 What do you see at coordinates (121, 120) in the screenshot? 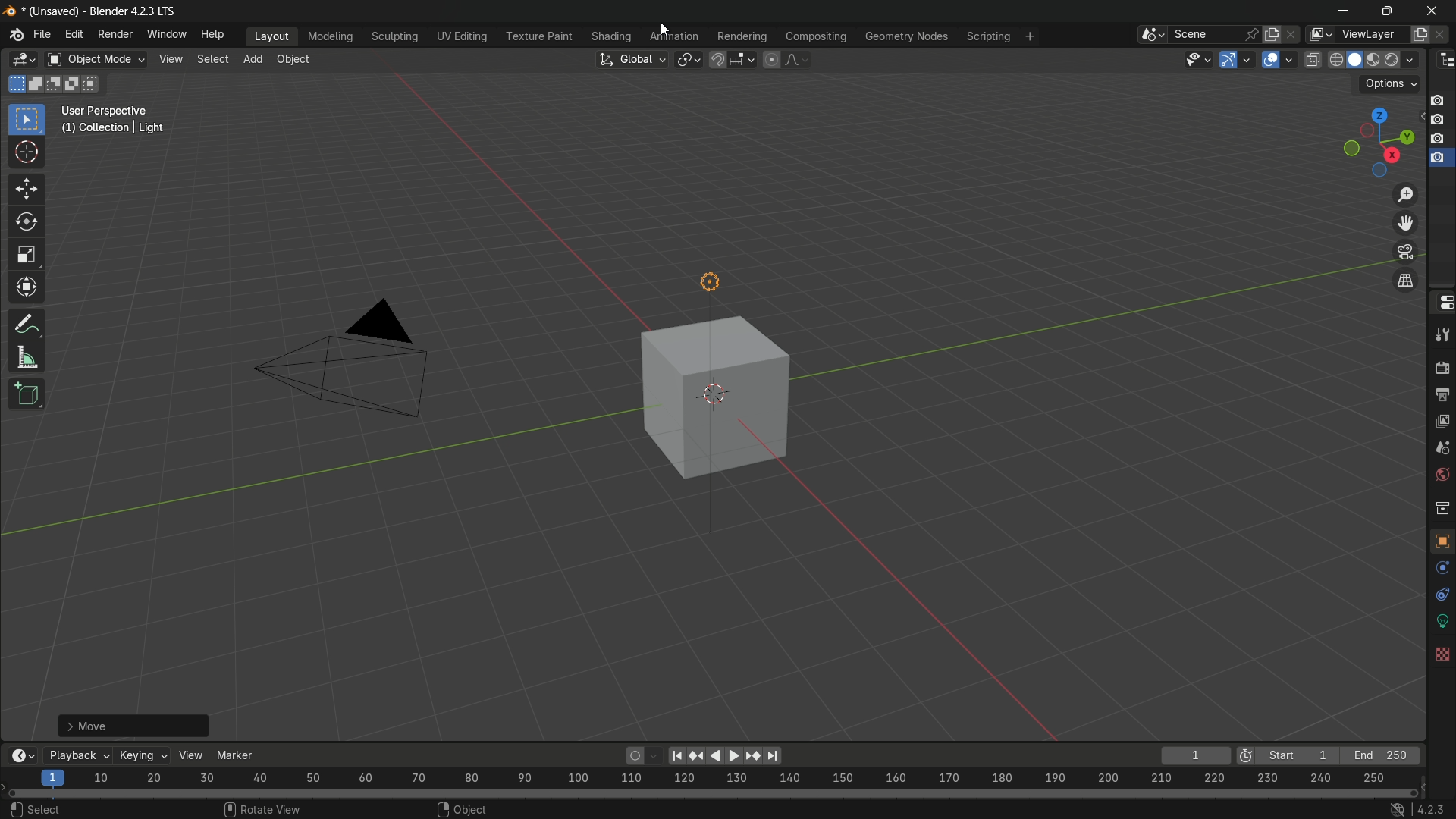
I see `user perspective (1) collection | cube` at bounding box center [121, 120].